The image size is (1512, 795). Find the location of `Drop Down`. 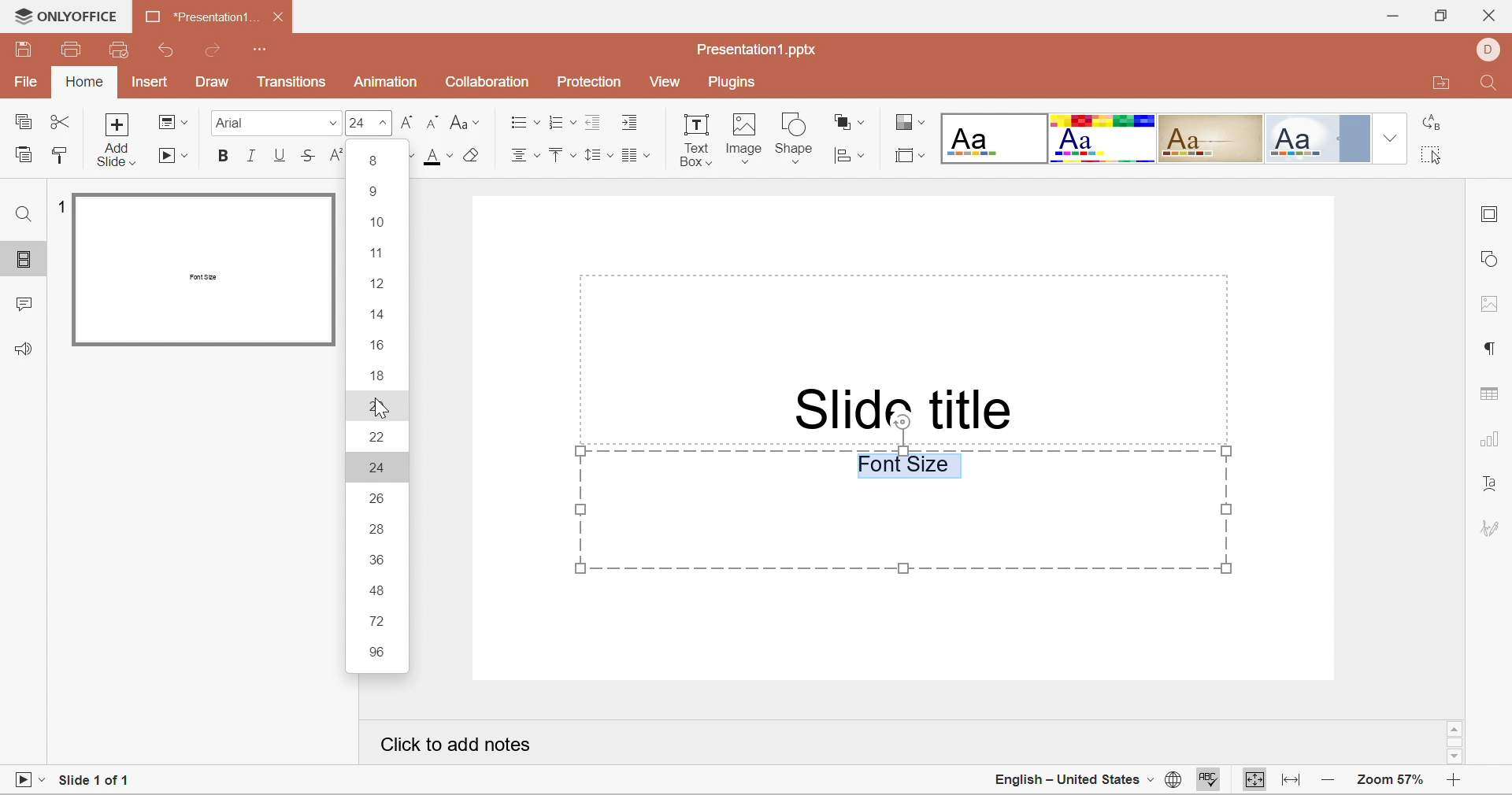

Drop Down is located at coordinates (333, 128).